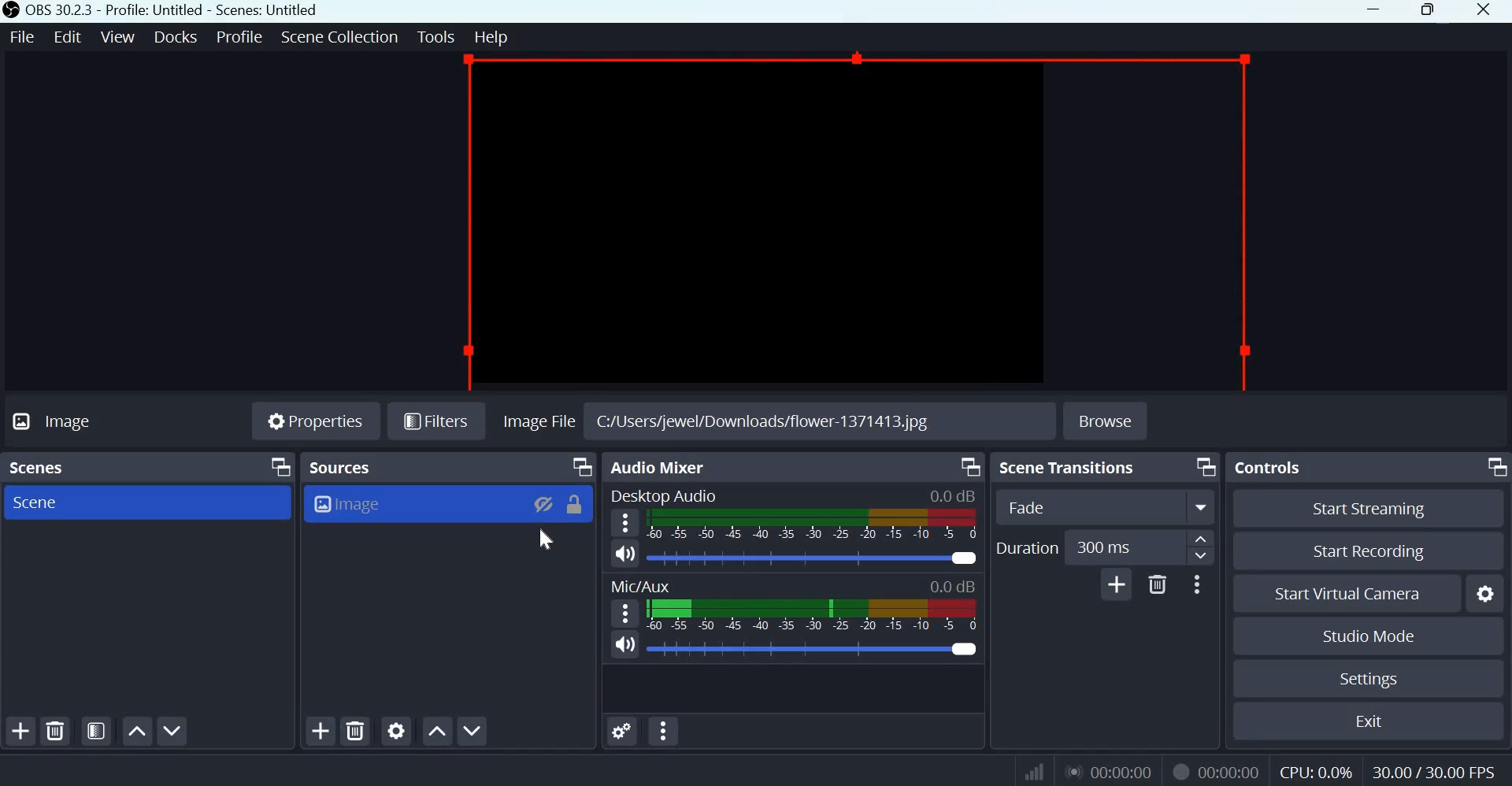 Image resolution: width=1512 pixels, height=786 pixels. I want to click on Dock Options icon, so click(580, 467).